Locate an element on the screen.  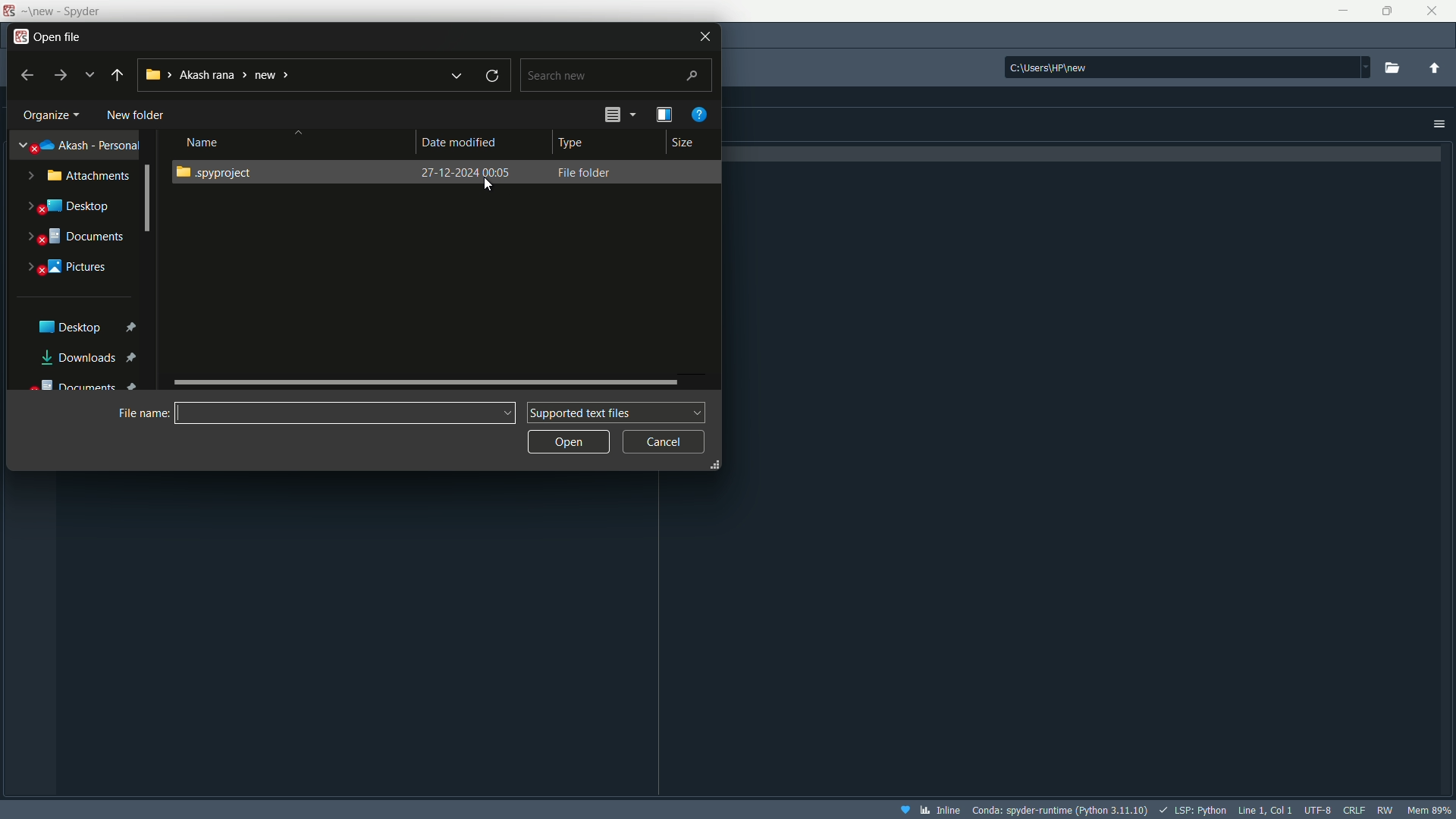
scroll bar is located at coordinates (429, 381).